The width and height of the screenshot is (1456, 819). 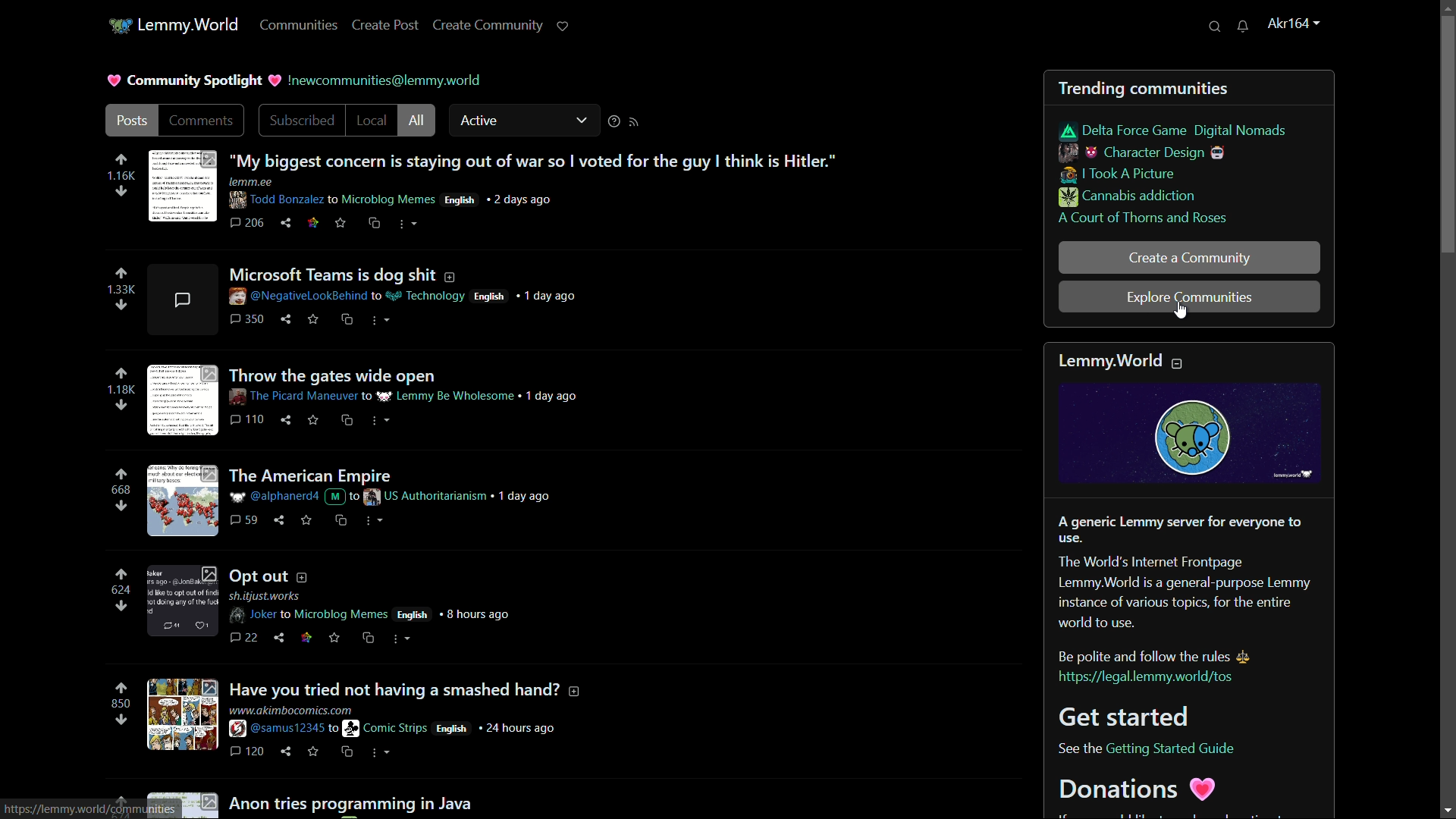 What do you see at coordinates (249, 224) in the screenshot?
I see `comments` at bounding box center [249, 224].